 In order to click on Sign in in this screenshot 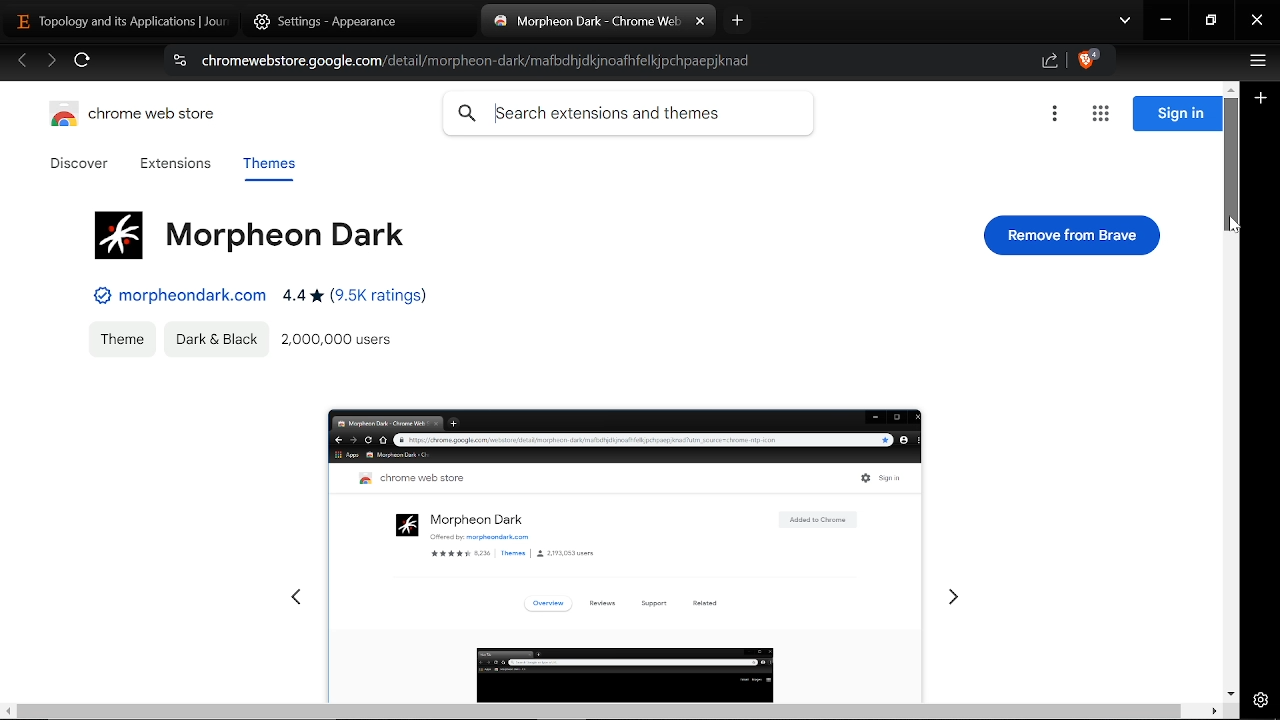, I will do `click(1177, 114)`.